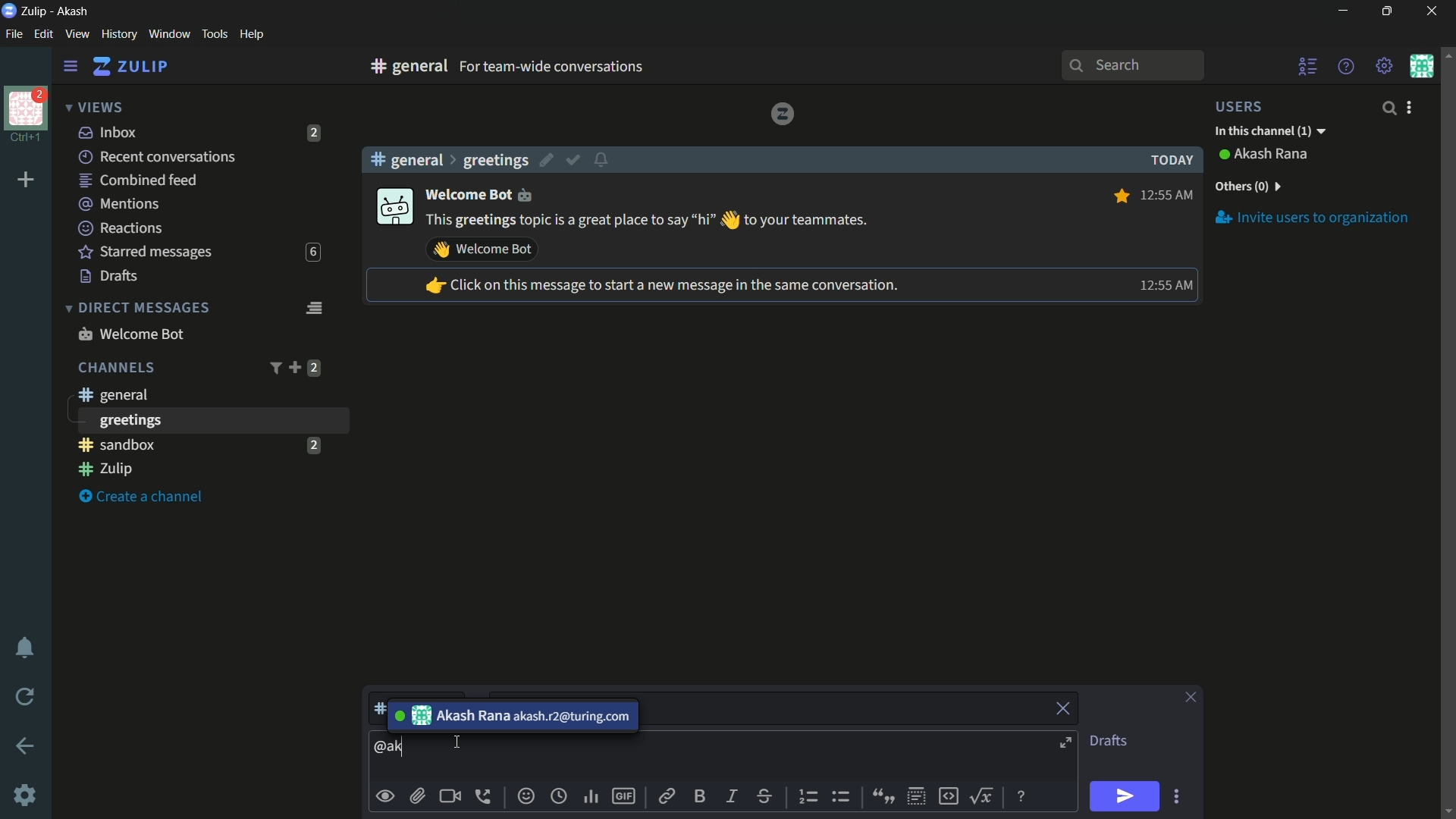 The height and width of the screenshot is (819, 1456). I want to click on message body, so click(393, 748).